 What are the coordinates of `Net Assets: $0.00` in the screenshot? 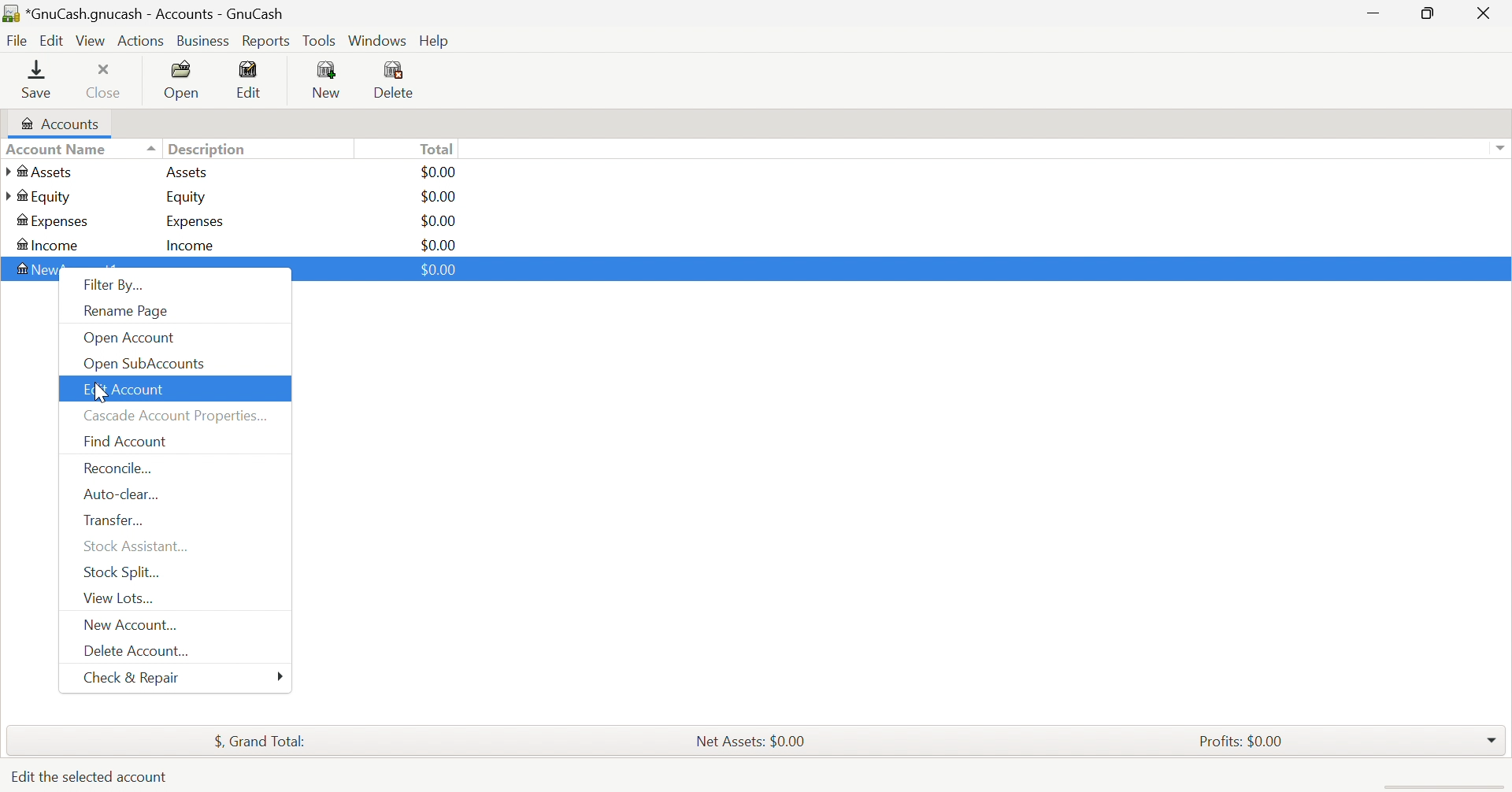 It's located at (751, 741).